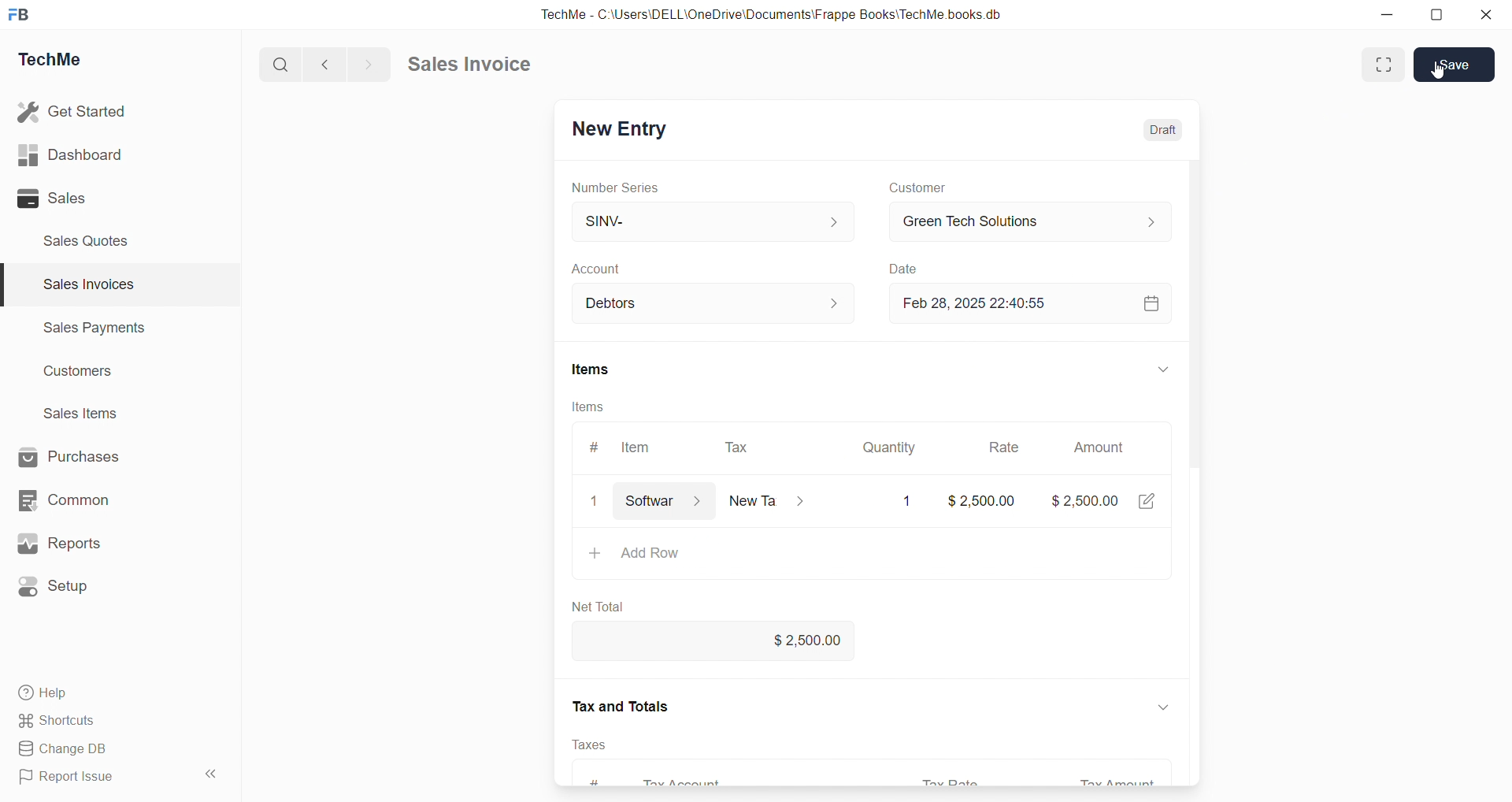 The height and width of the screenshot is (802, 1512). Describe the element at coordinates (982, 303) in the screenshot. I see `Feb 28, 2025 22:40:55` at that location.